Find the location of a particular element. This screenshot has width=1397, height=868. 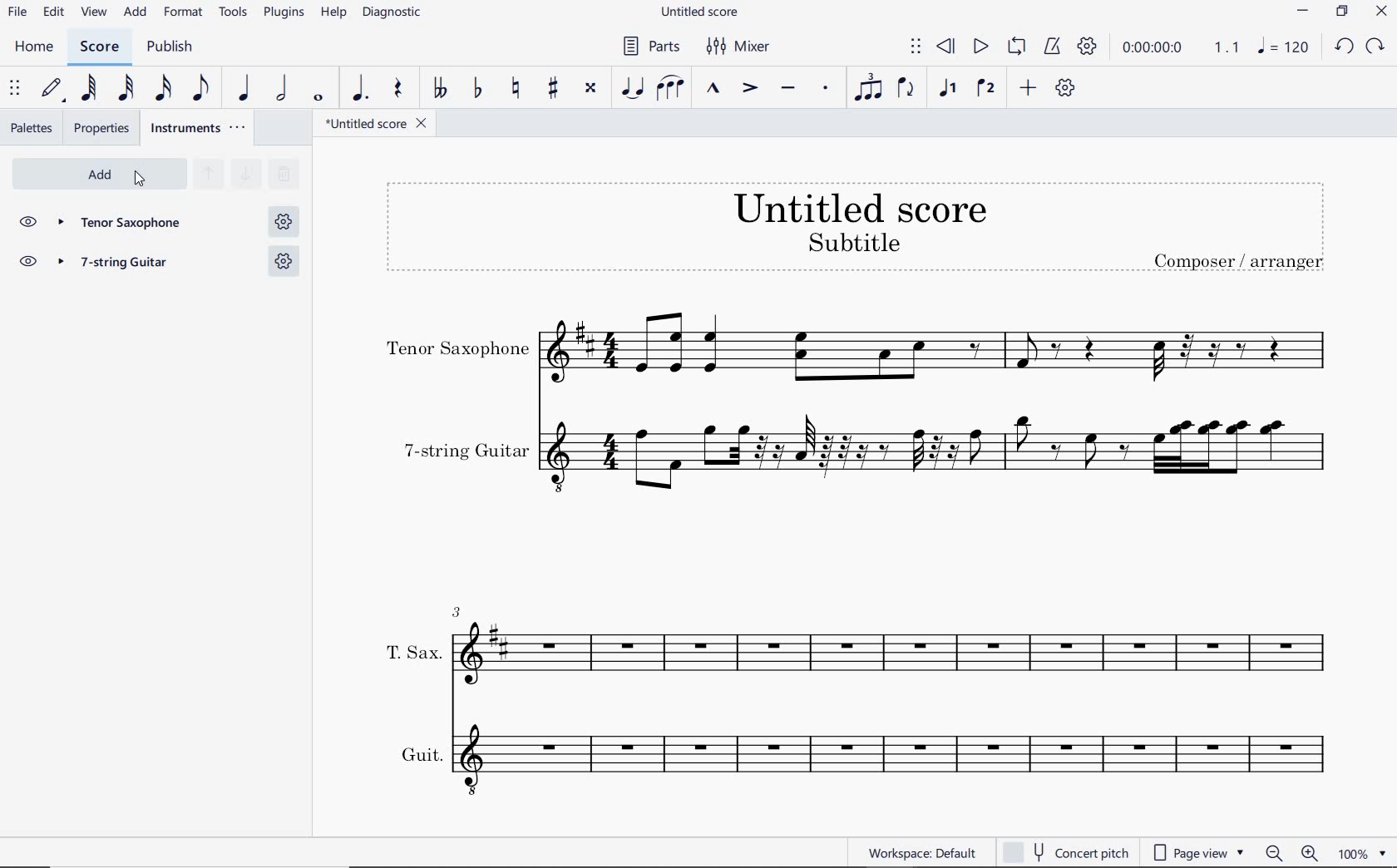

ADD is located at coordinates (1029, 89).